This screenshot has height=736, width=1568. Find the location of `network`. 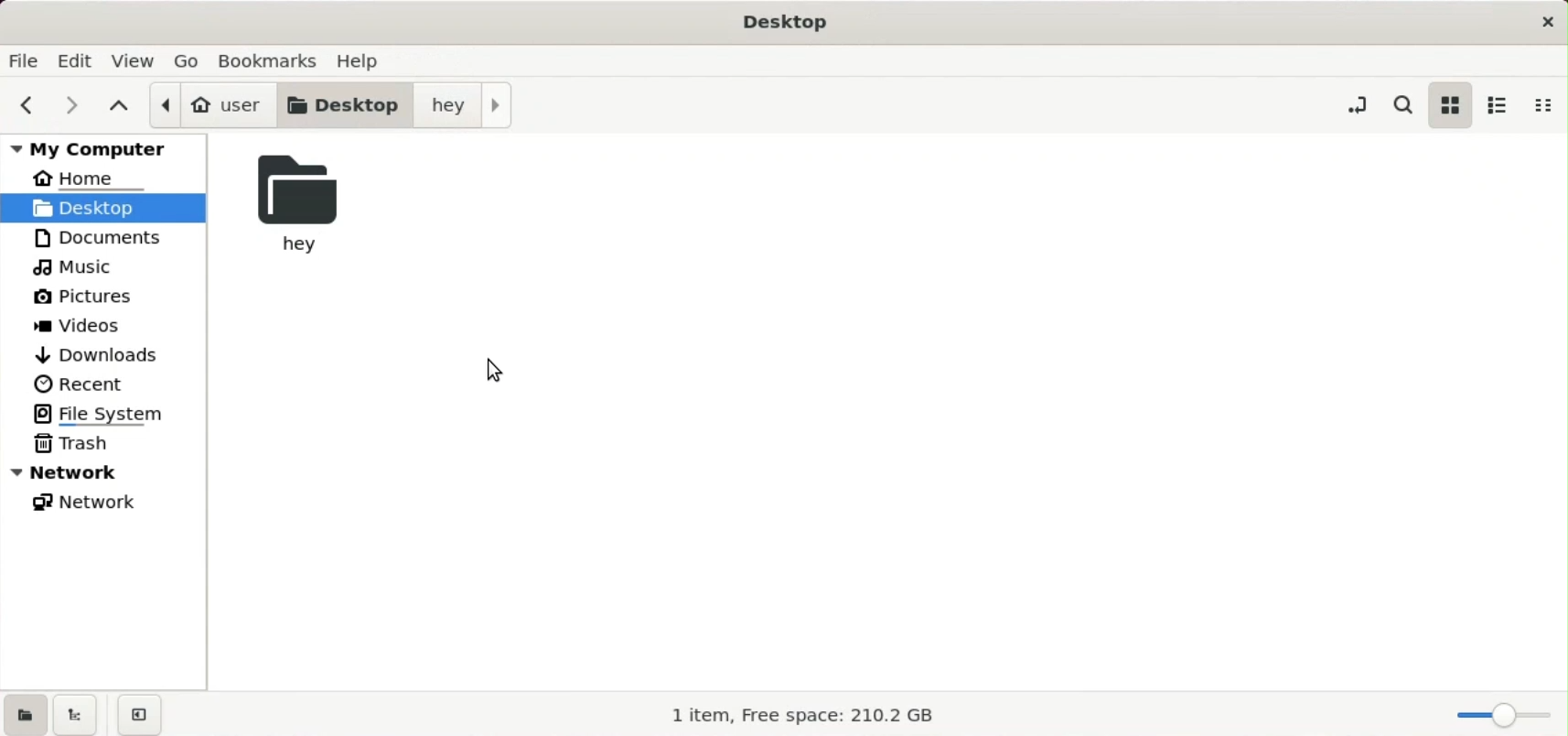

network is located at coordinates (89, 501).